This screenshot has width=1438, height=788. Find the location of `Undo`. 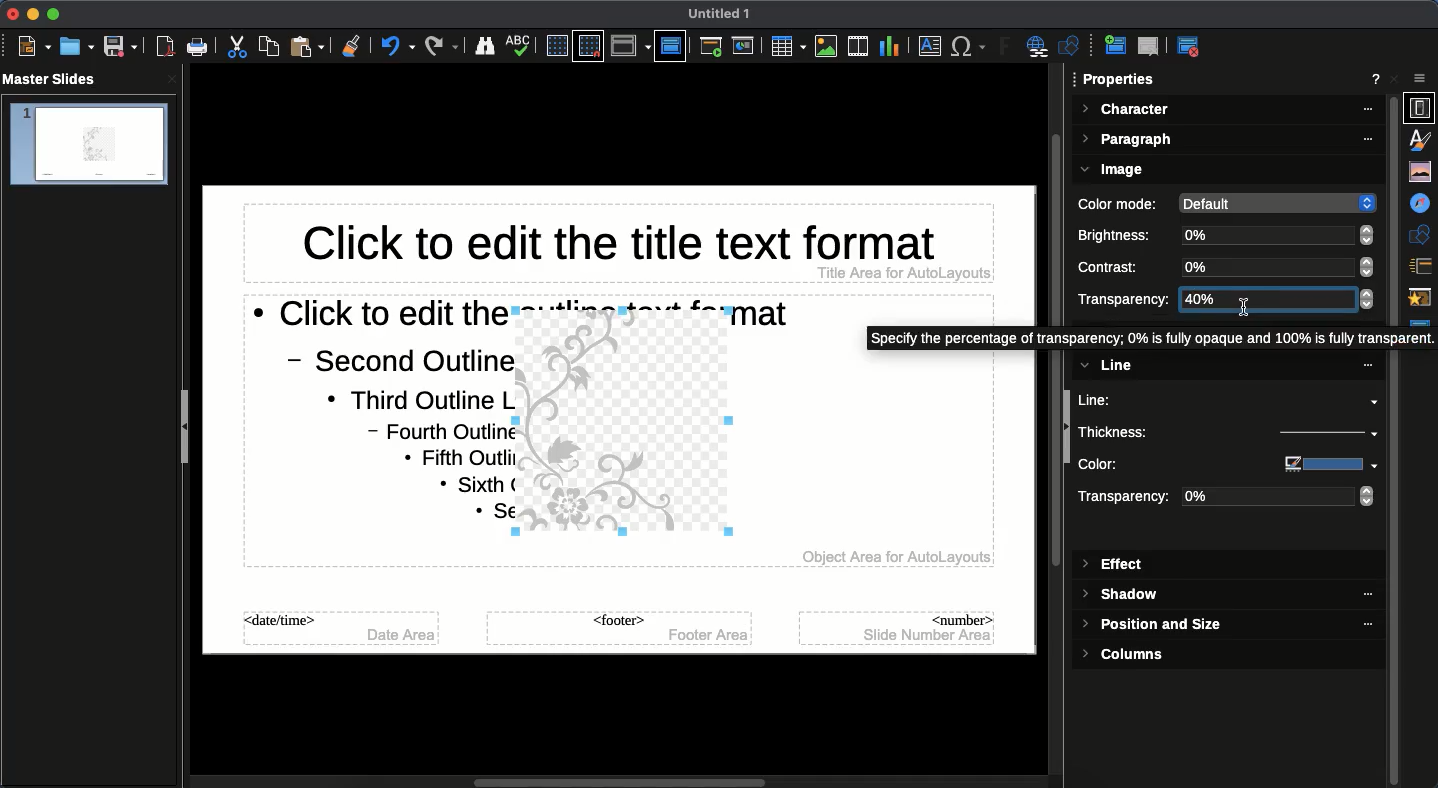

Undo is located at coordinates (397, 46).